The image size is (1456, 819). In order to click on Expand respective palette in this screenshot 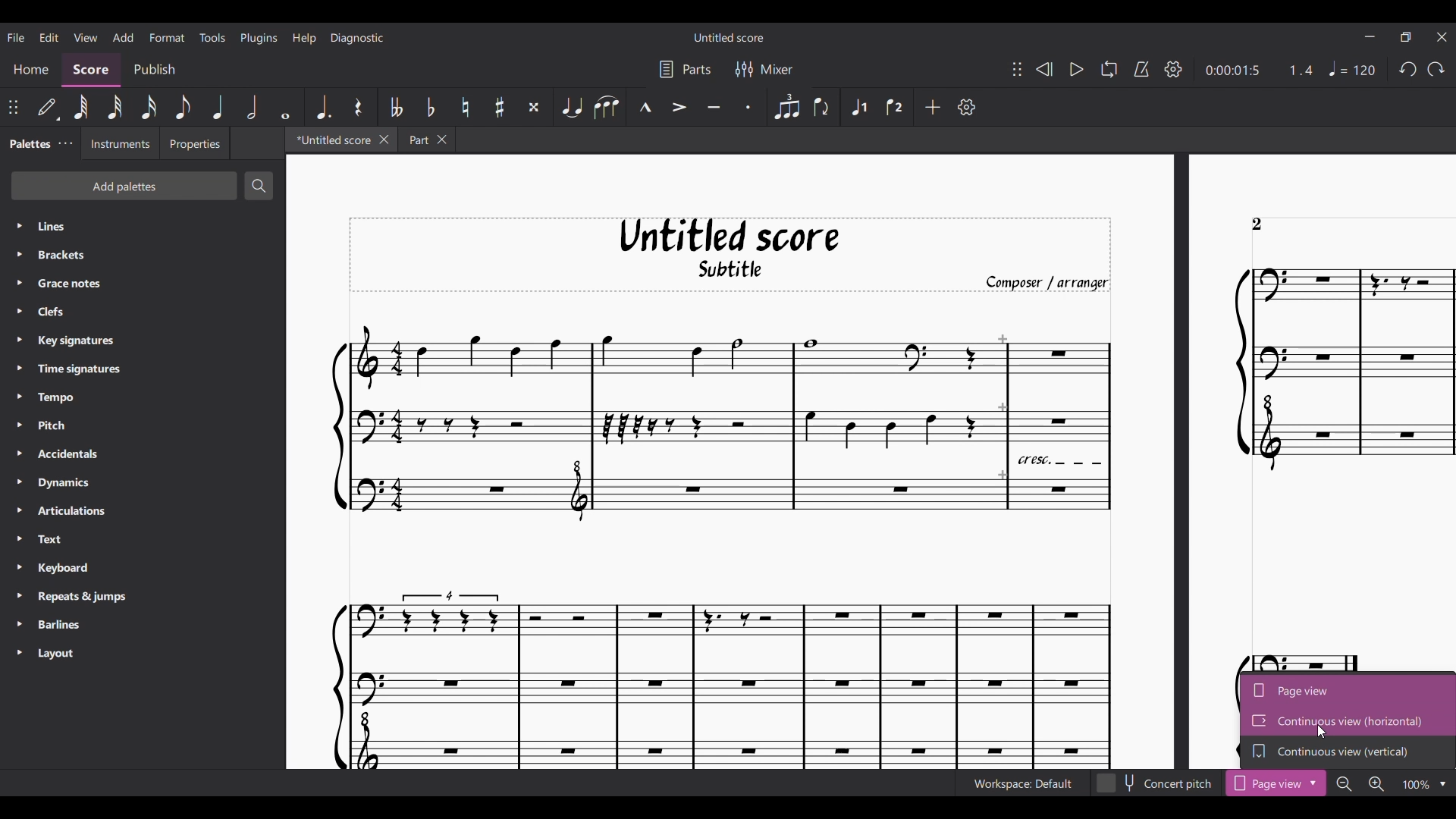, I will do `click(18, 440)`.